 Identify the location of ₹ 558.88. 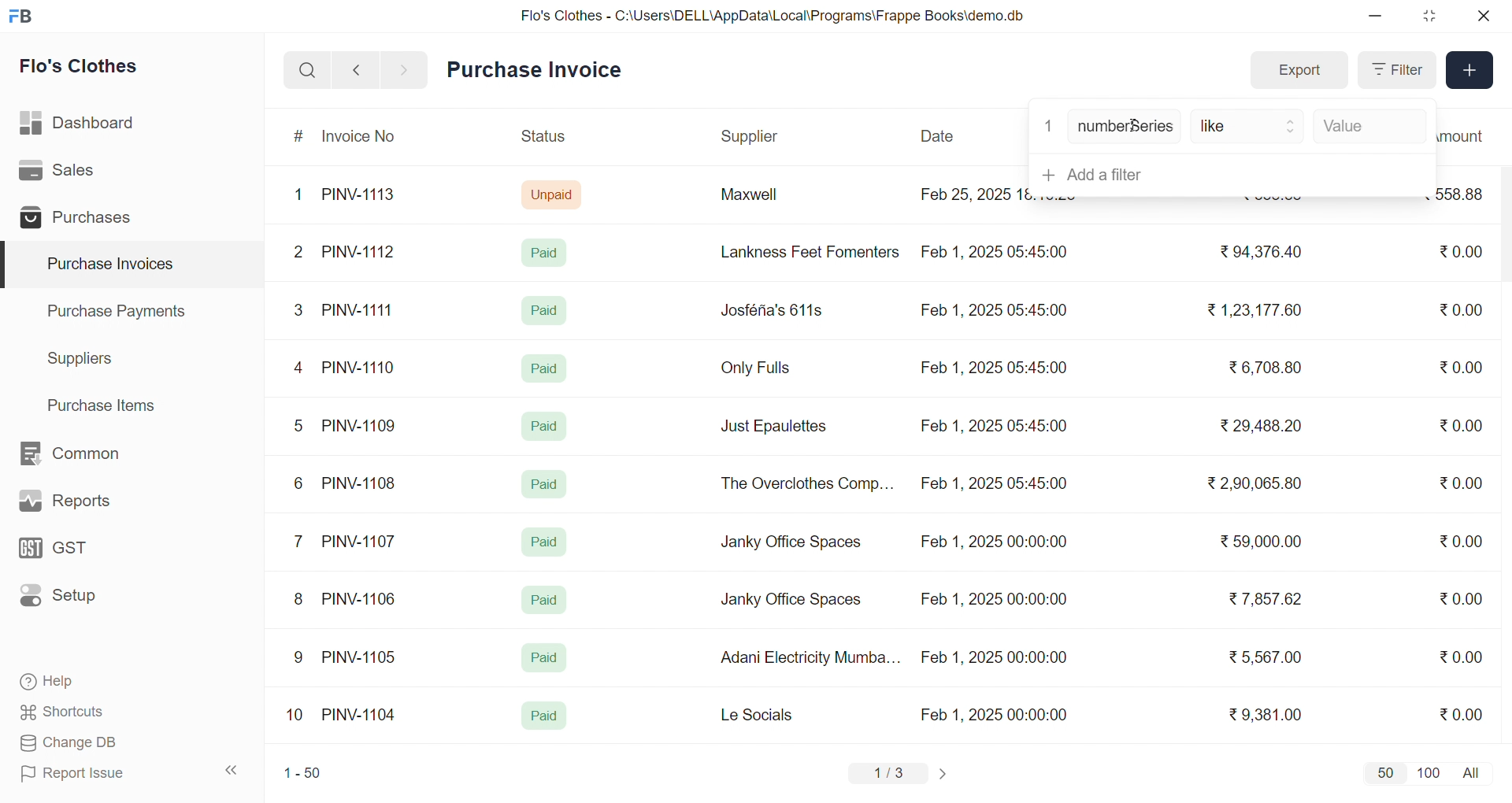
(1267, 202).